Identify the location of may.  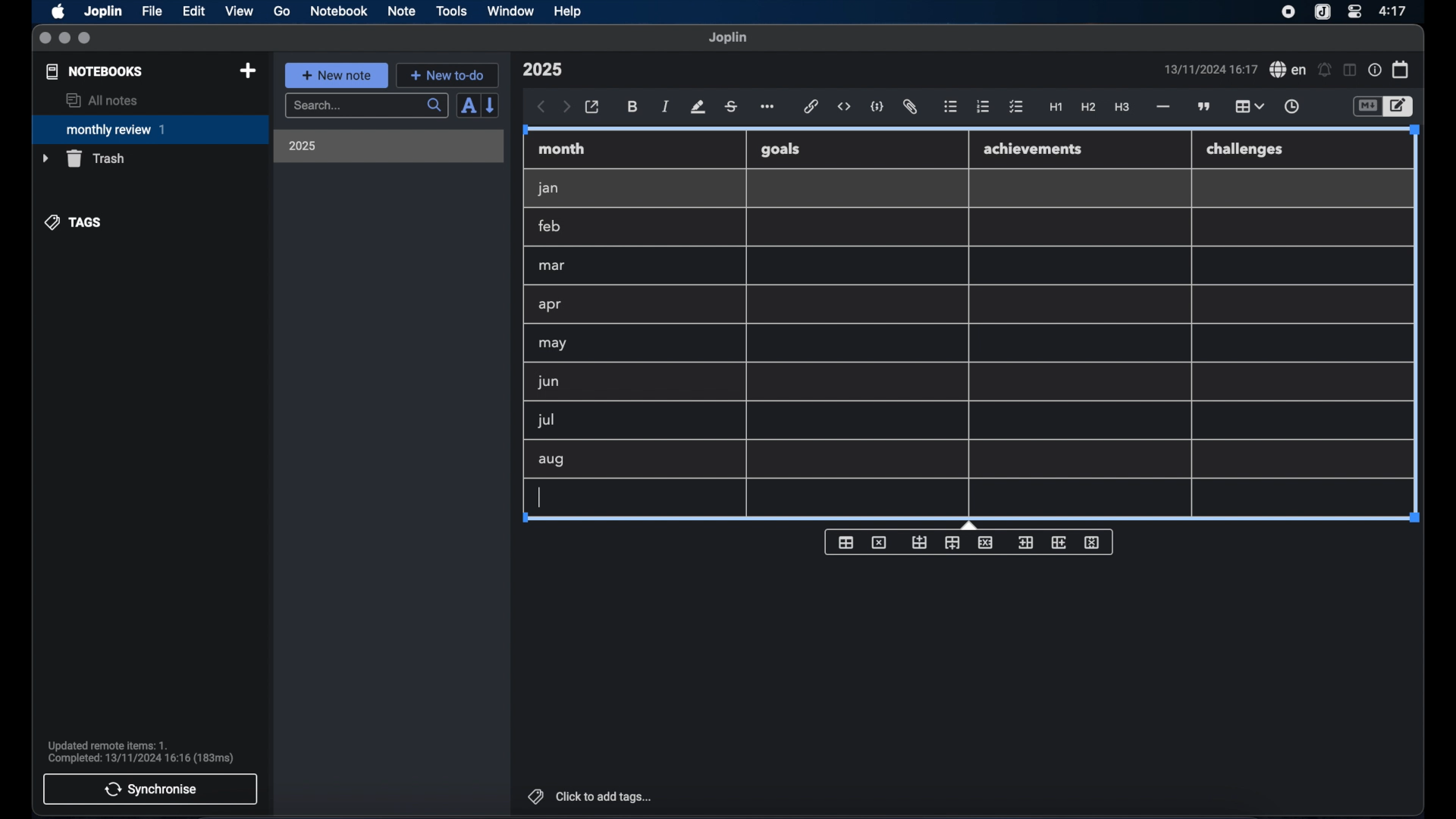
(552, 344).